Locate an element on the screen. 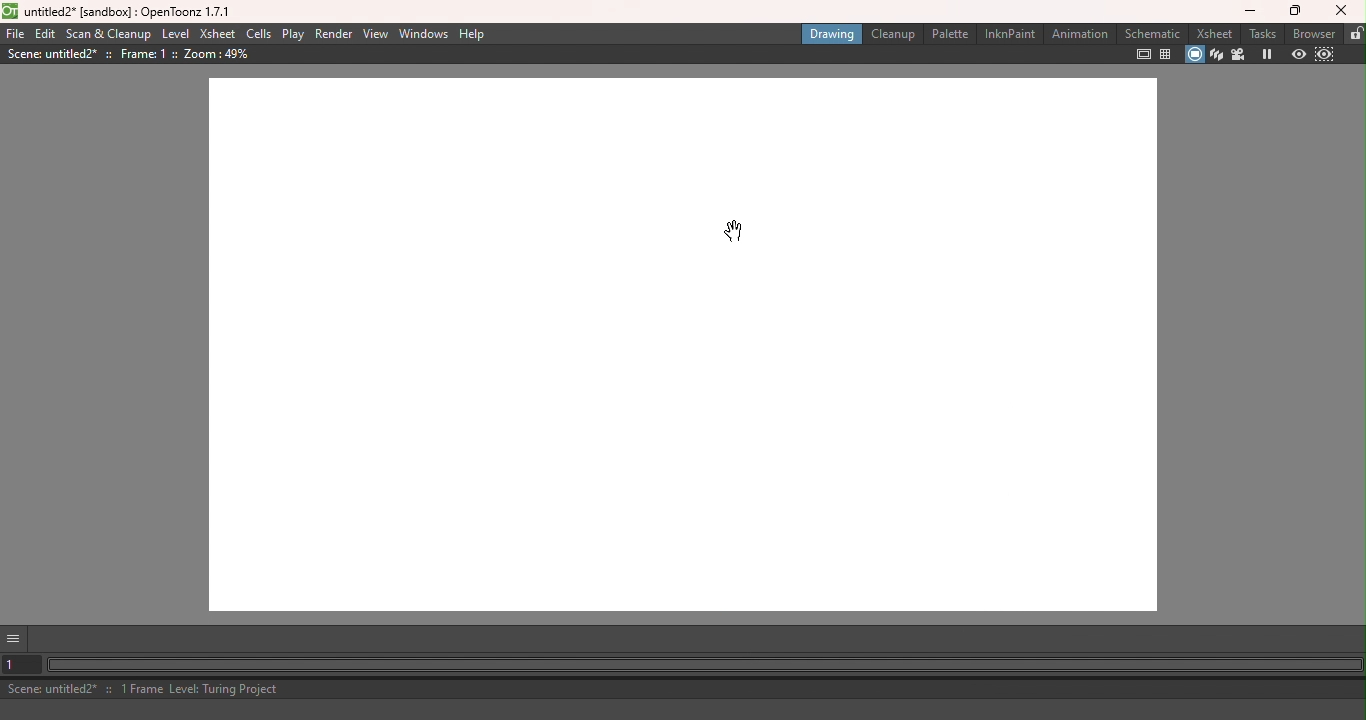 The image size is (1366, 720). Edit is located at coordinates (47, 33).